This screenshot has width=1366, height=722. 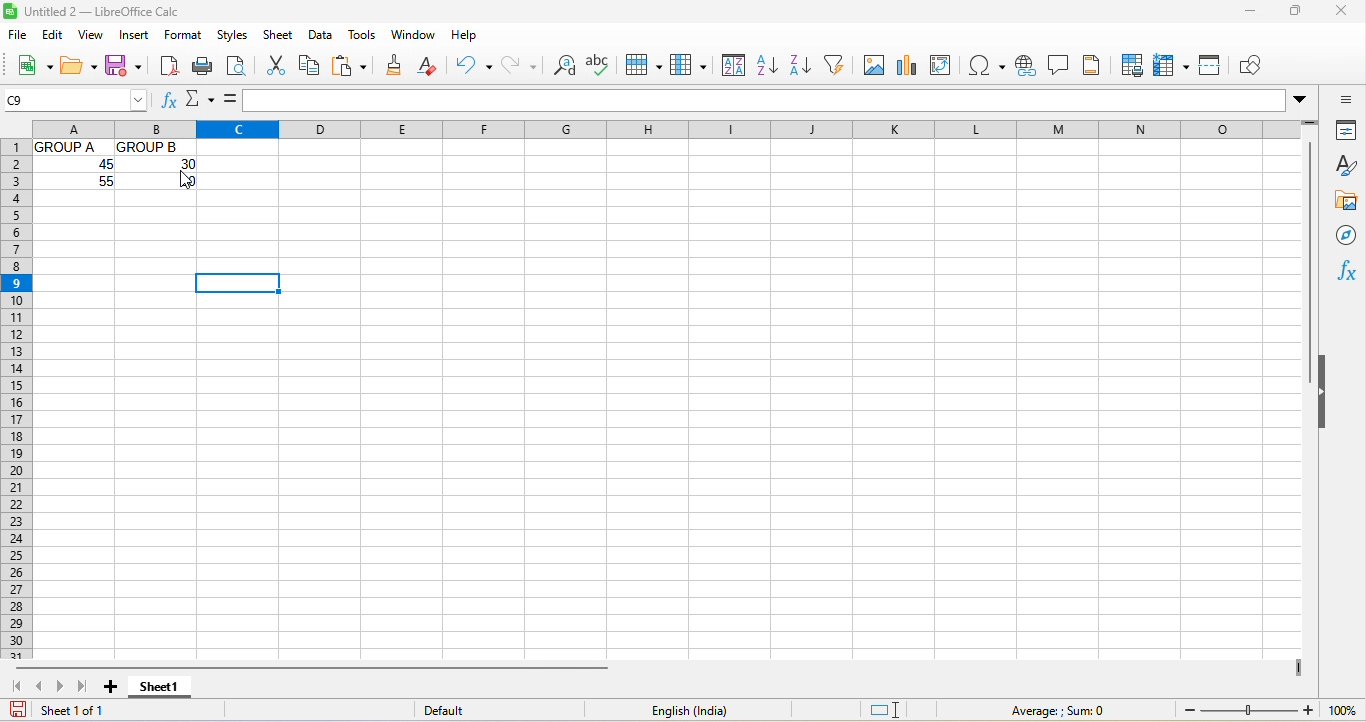 I want to click on styles, so click(x=231, y=37).